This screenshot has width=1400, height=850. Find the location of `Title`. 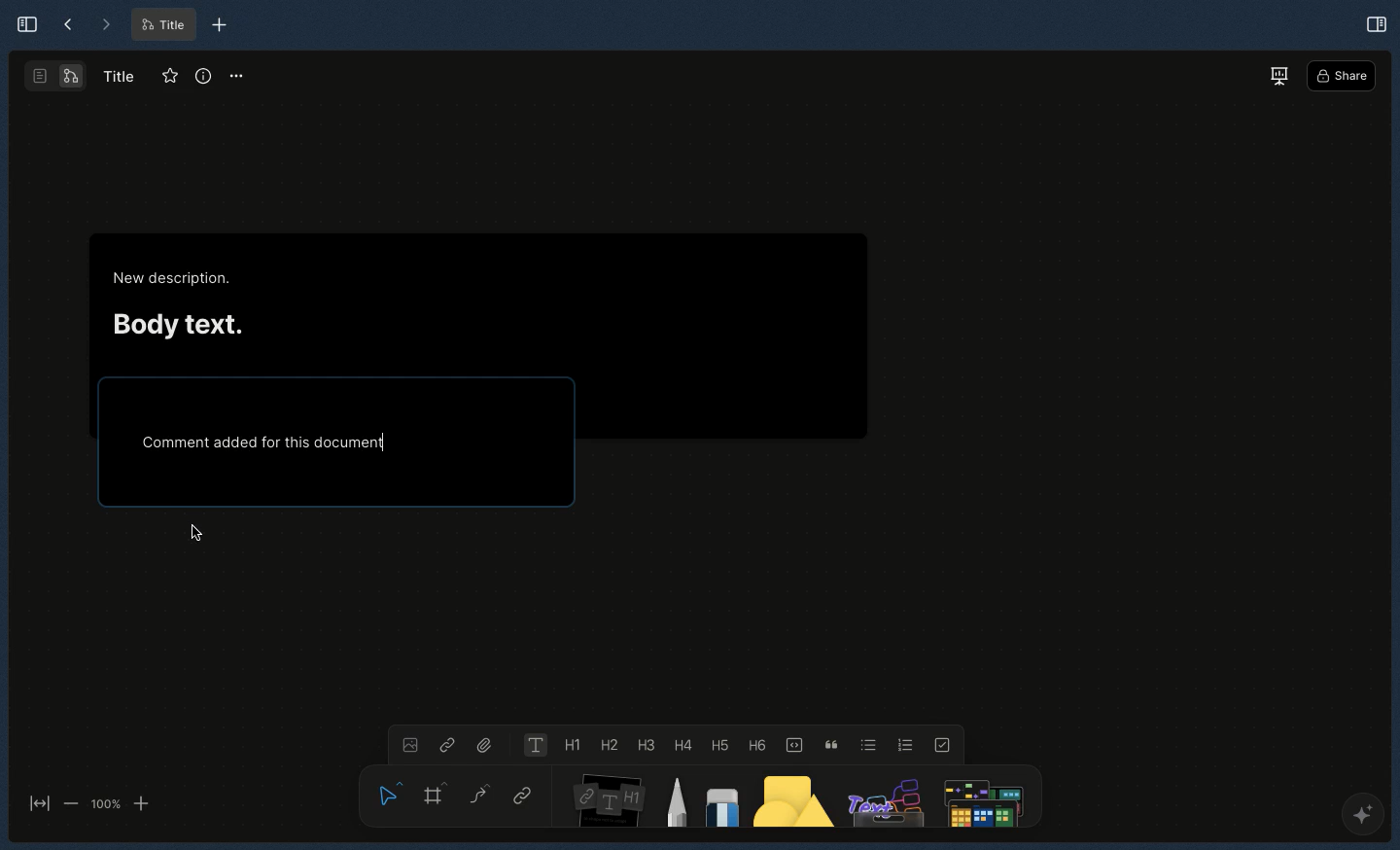

Title is located at coordinates (117, 75).